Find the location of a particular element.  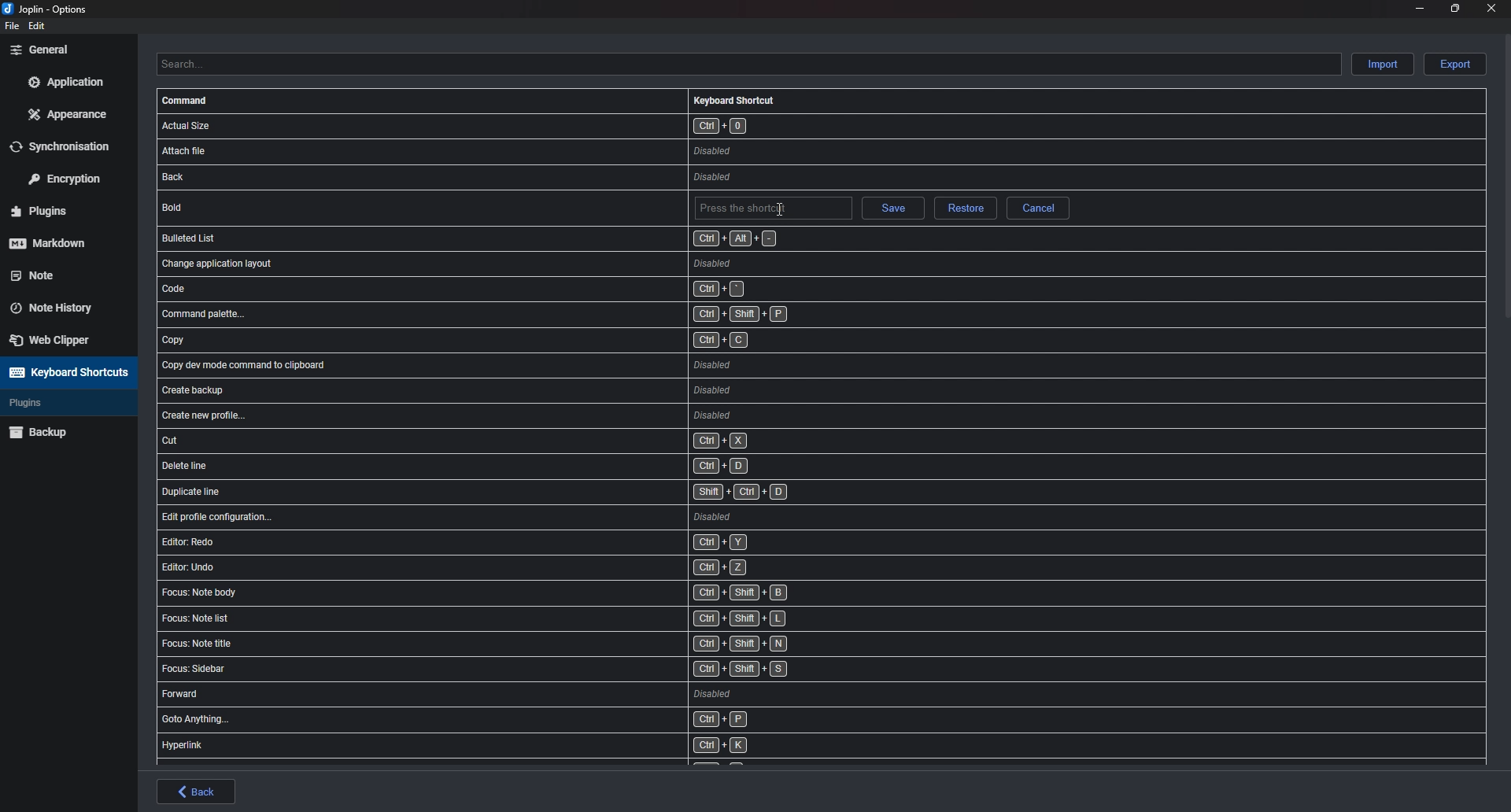

Back up is located at coordinates (65, 431).